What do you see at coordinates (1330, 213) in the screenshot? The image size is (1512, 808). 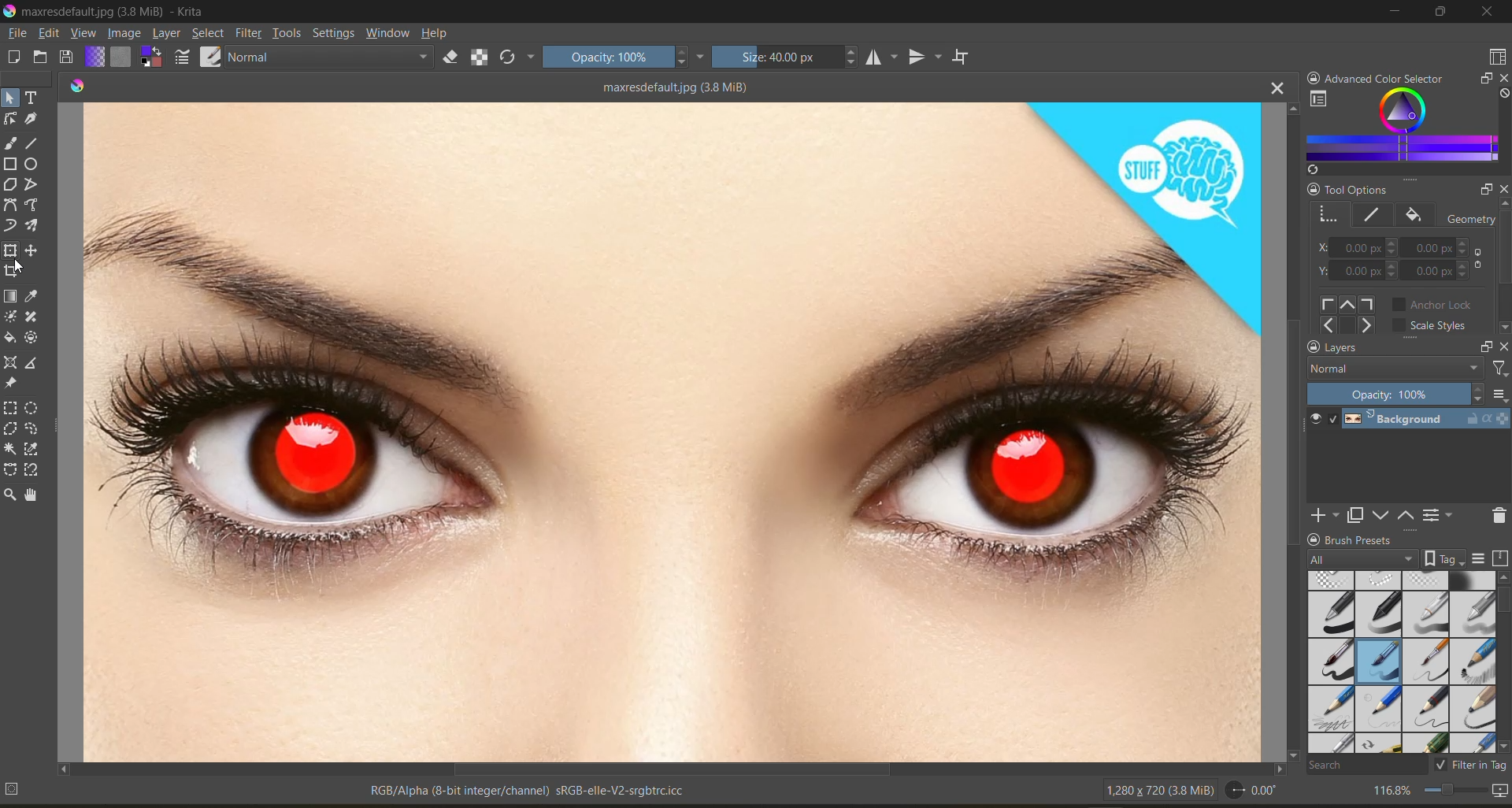 I see `geometry` at bounding box center [1330, 213].